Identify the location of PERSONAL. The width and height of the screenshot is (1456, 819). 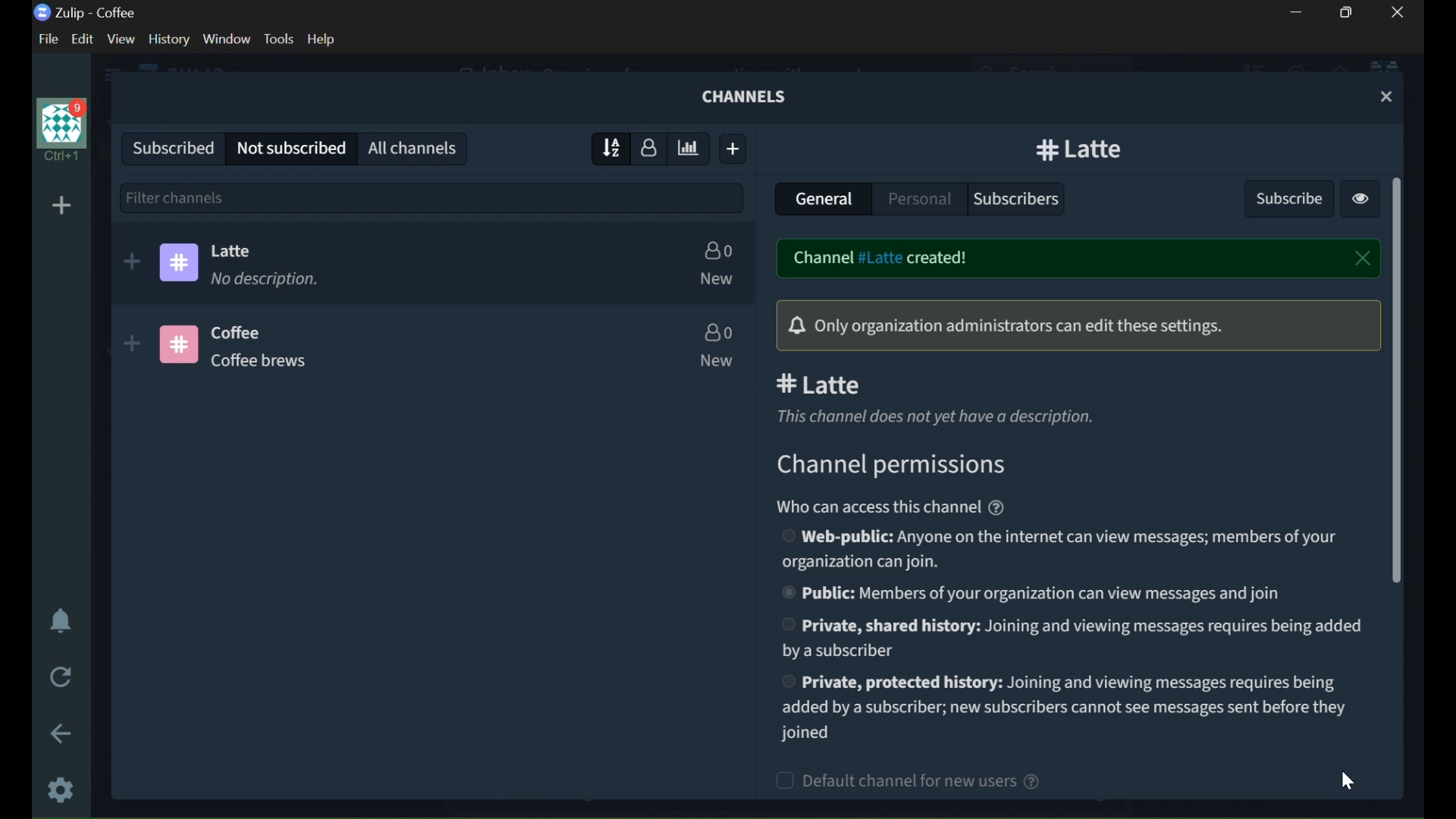
(919, 196).